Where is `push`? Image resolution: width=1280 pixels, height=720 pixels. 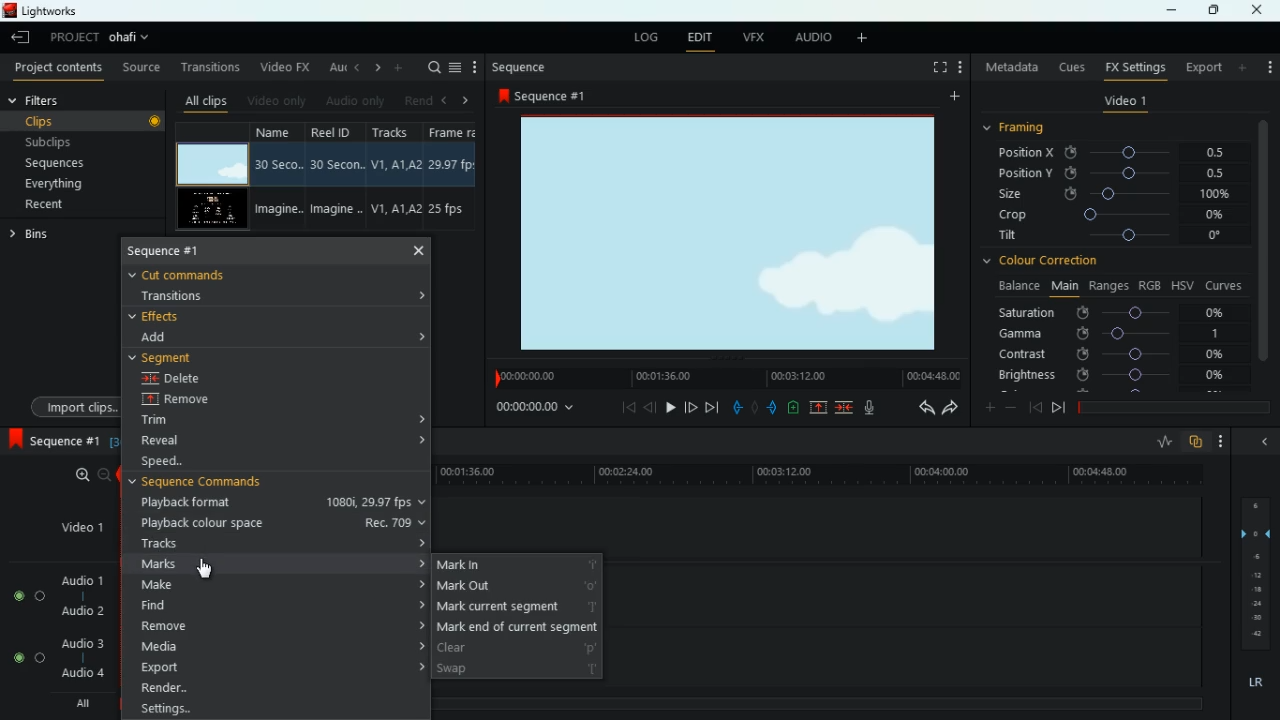 push is located at coordinates (772, 408).